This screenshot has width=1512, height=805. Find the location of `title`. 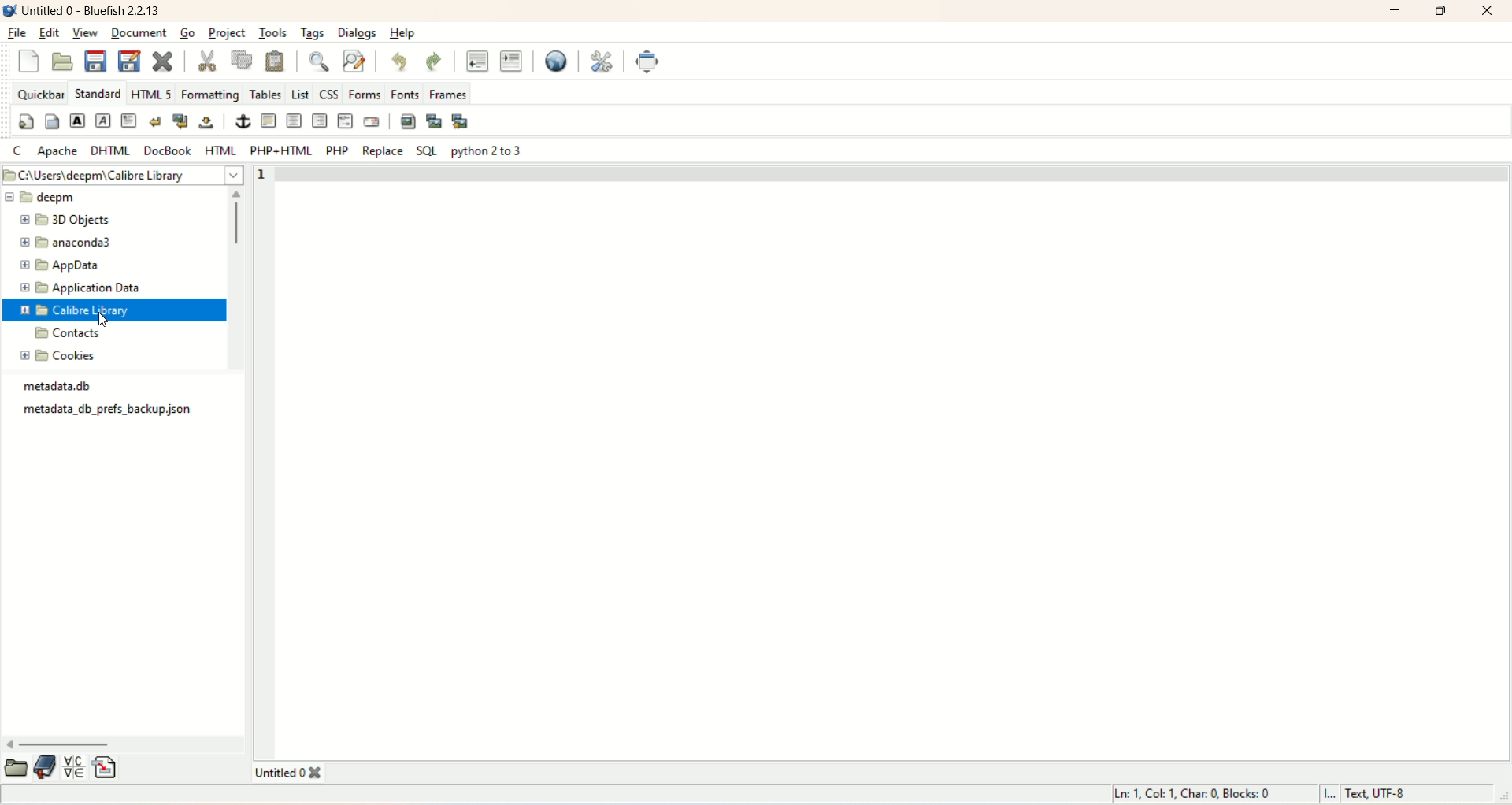

title is located at coordinates (93, 13).